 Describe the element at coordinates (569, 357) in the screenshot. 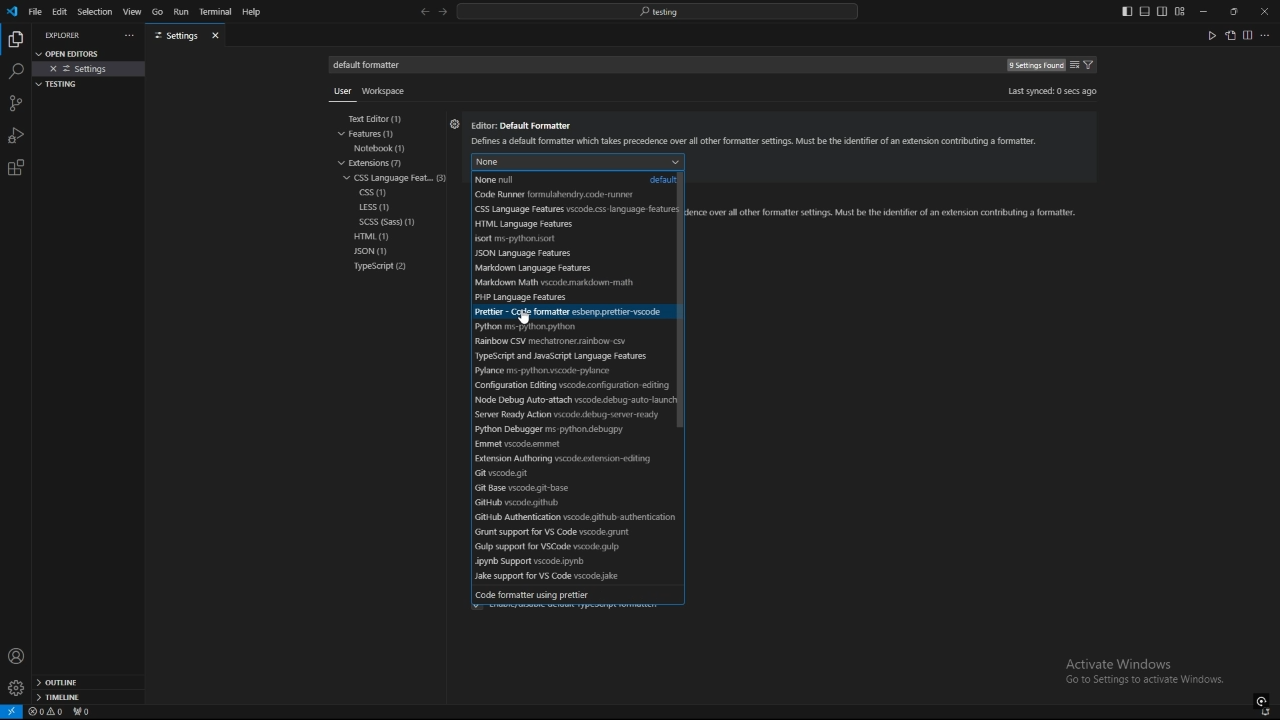

I see `typescript and javascript` at that location.